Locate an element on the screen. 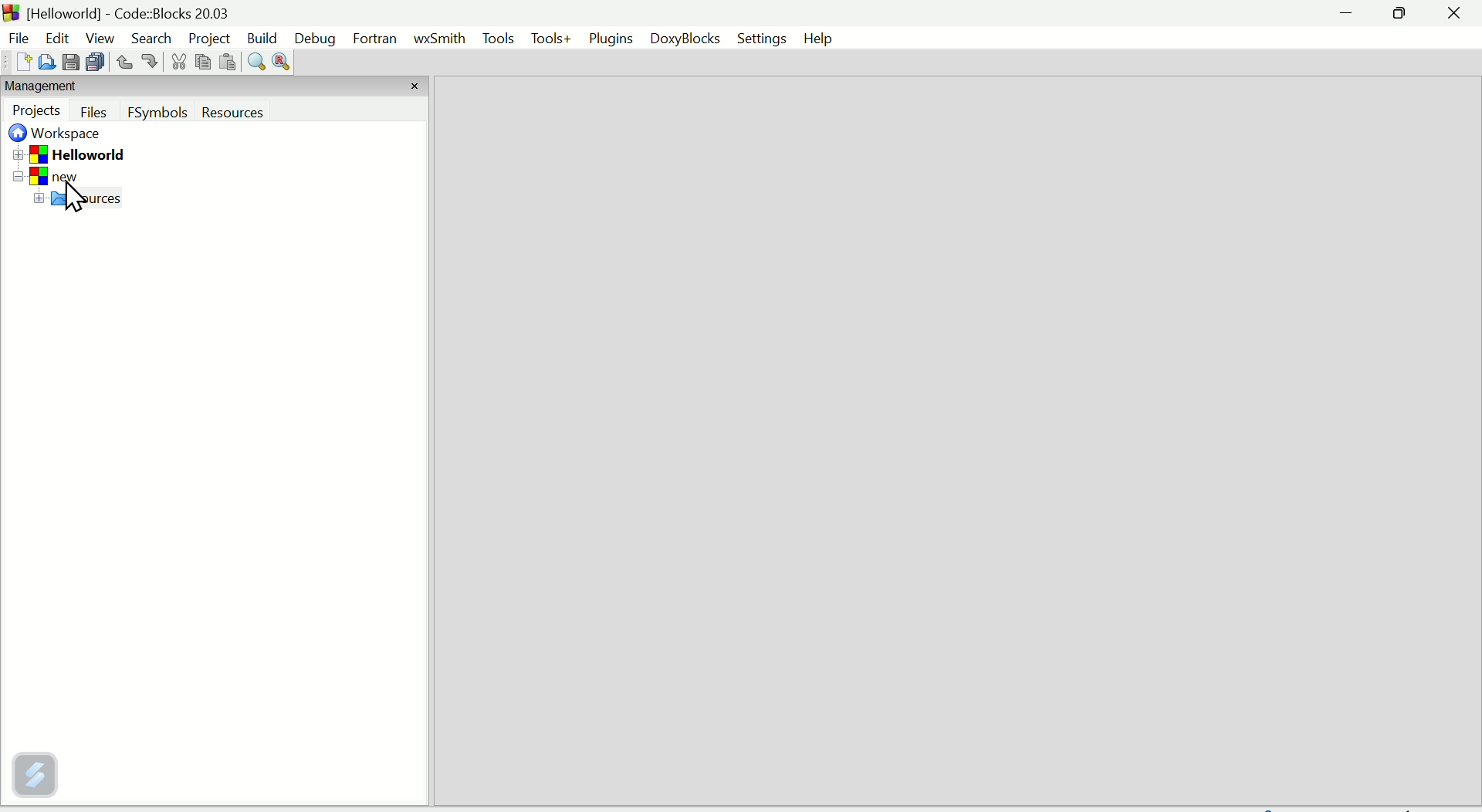 This screenshot has width=1482, height=812. Sources is located at coordinates (102, 201).